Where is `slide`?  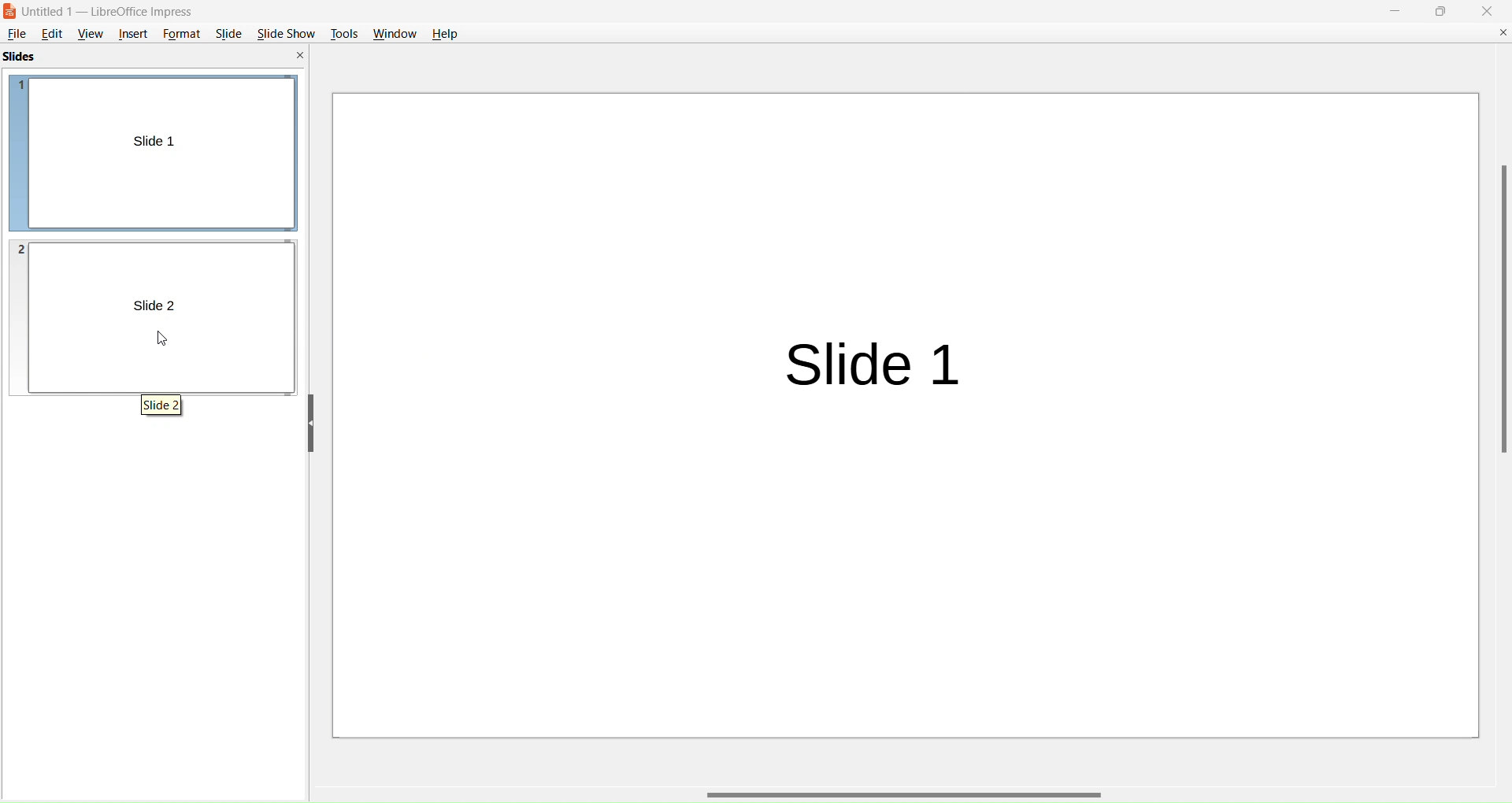
slide is located at coordinates (228, 33).